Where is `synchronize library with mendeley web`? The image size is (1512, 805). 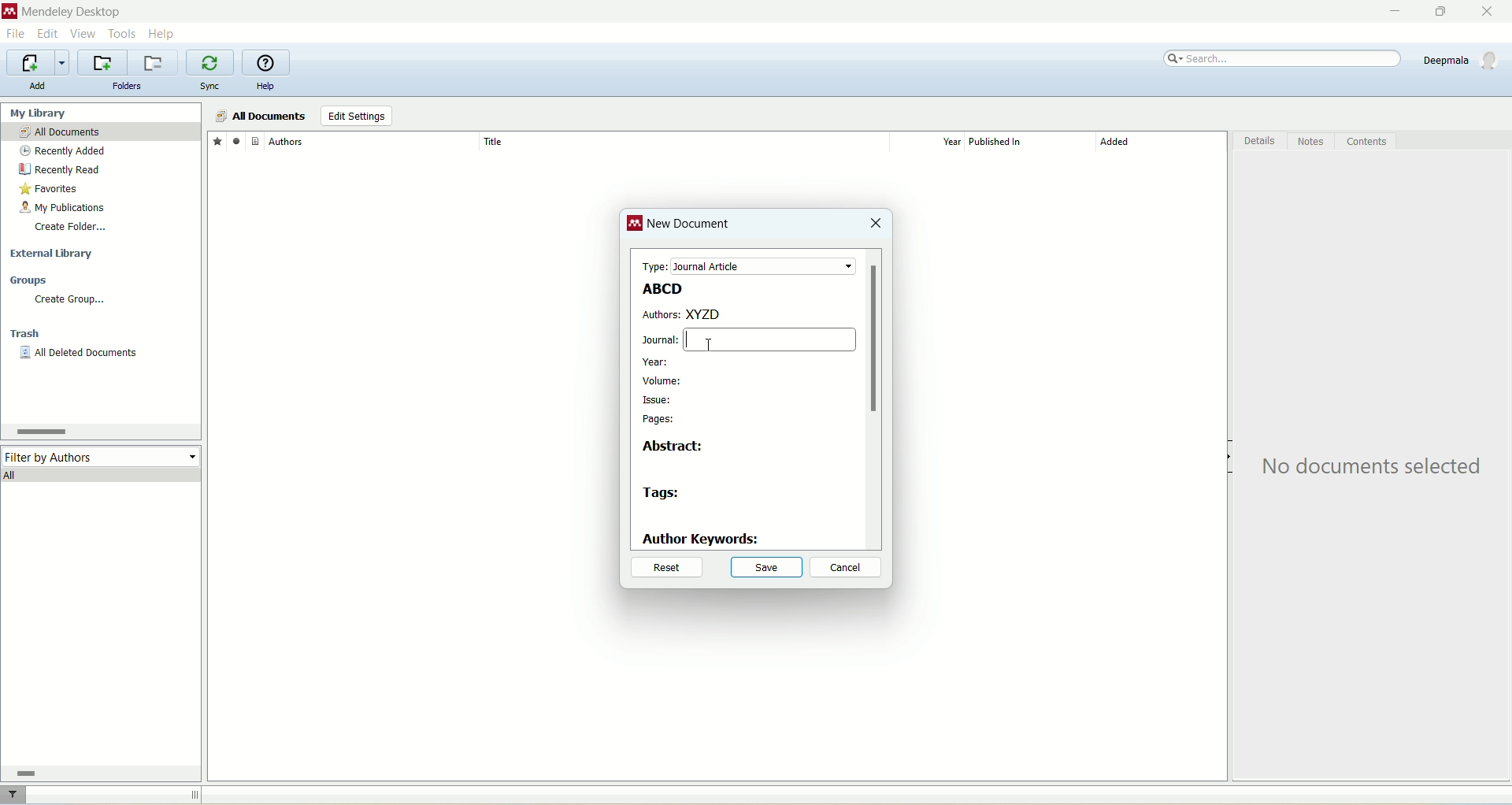 synchronize library with mendeley web is located at coordinates (212, 63).